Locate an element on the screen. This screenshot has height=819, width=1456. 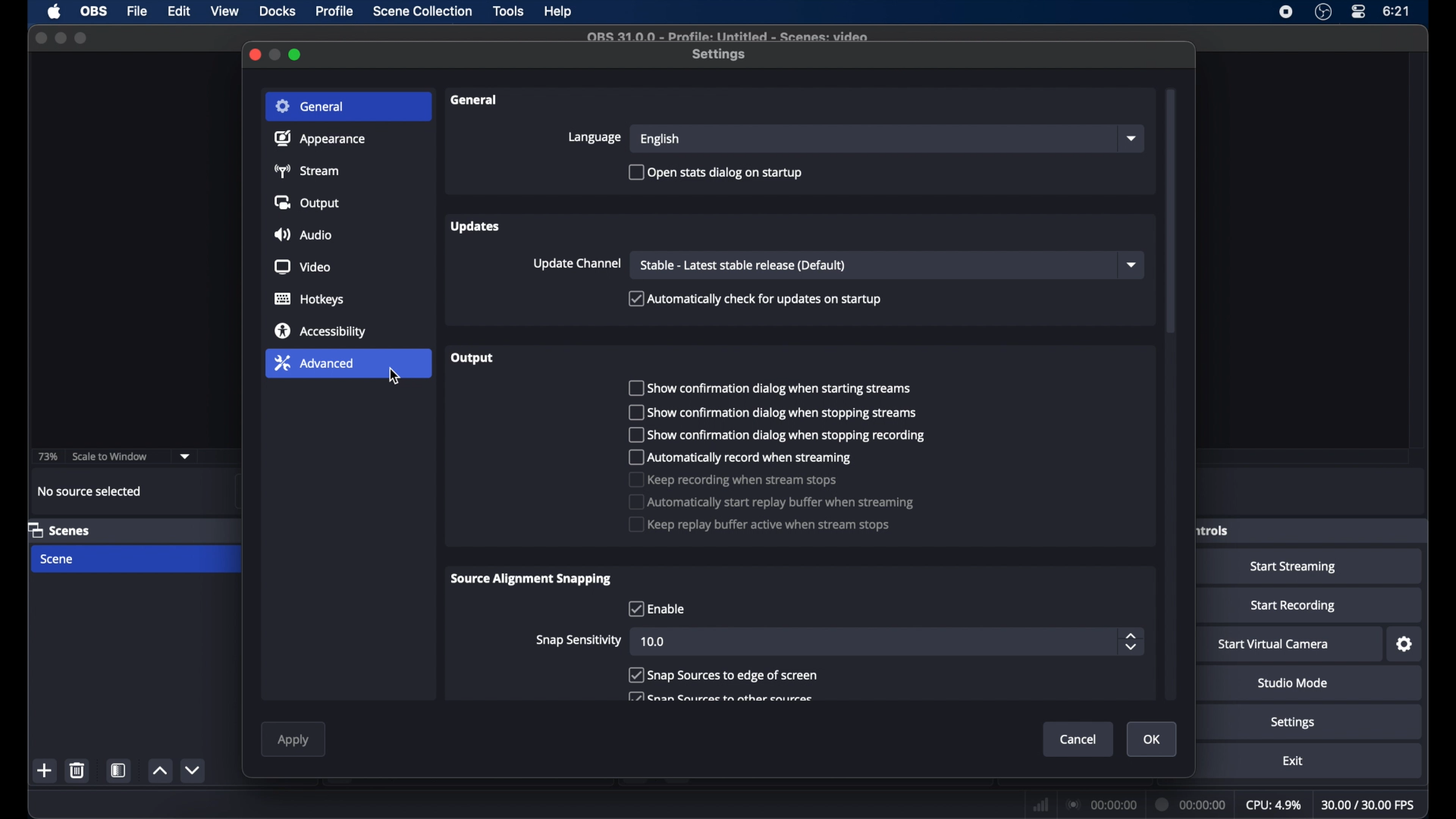
output is located at coordinates (473, 359).